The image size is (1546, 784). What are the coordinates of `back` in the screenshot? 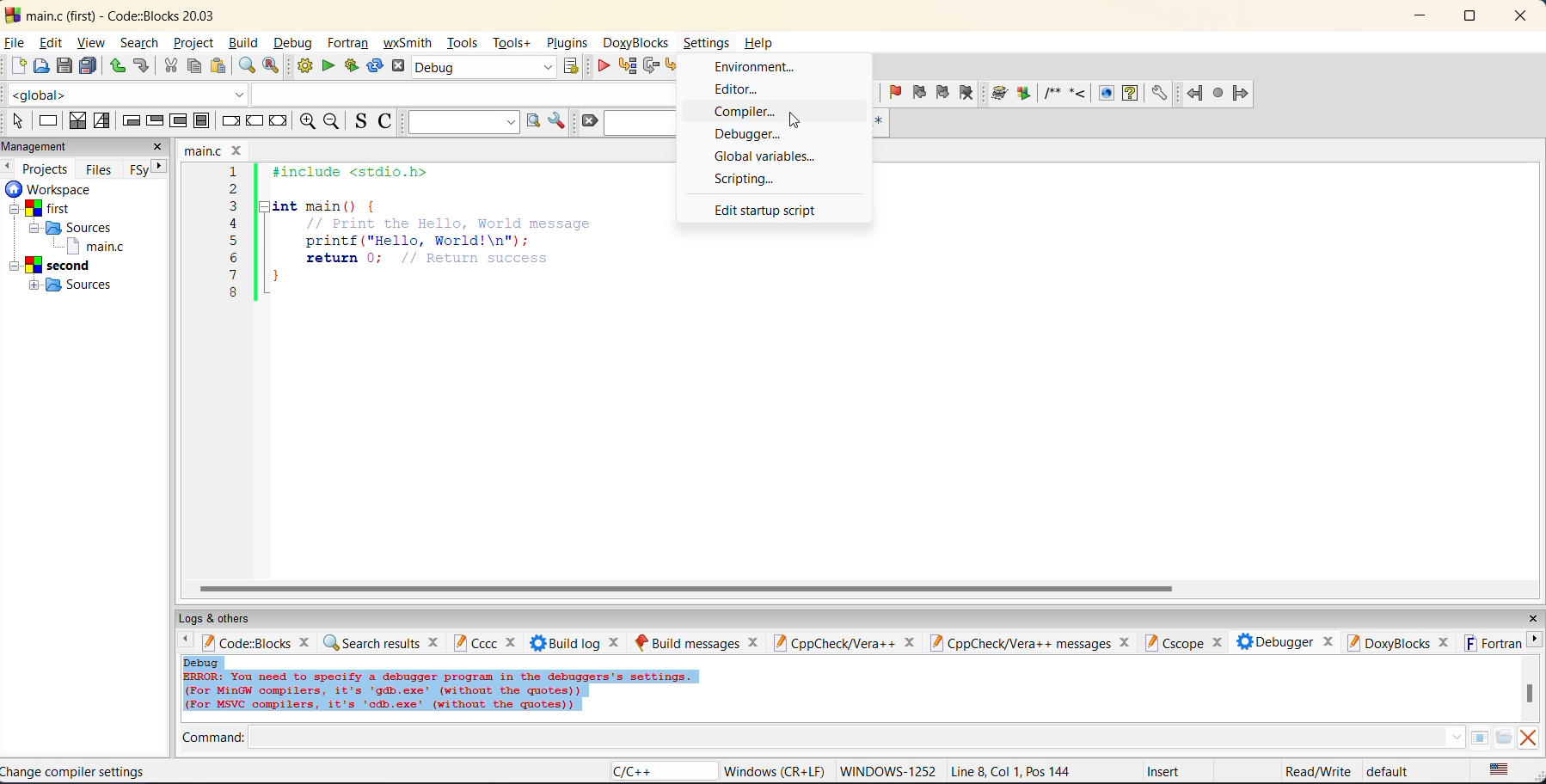 It's located at (184, 640).